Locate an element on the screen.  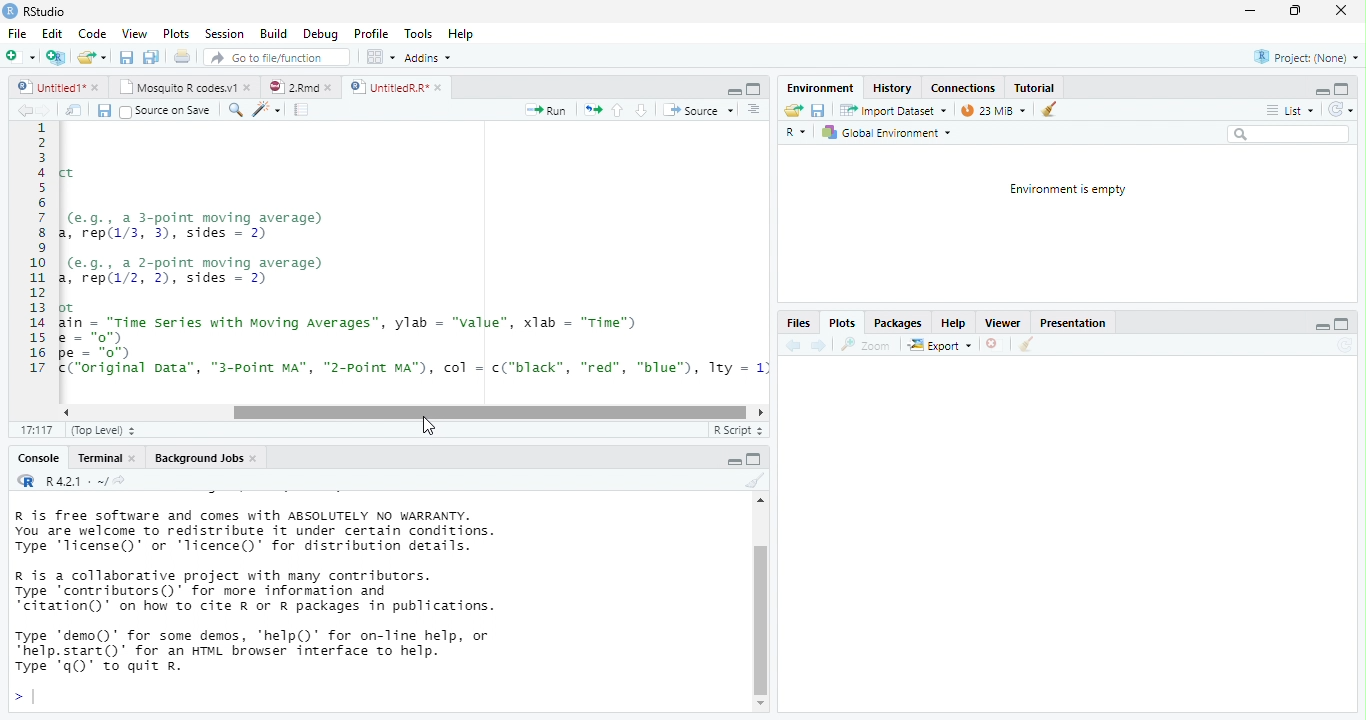
close is located at coordinates (332, 88).